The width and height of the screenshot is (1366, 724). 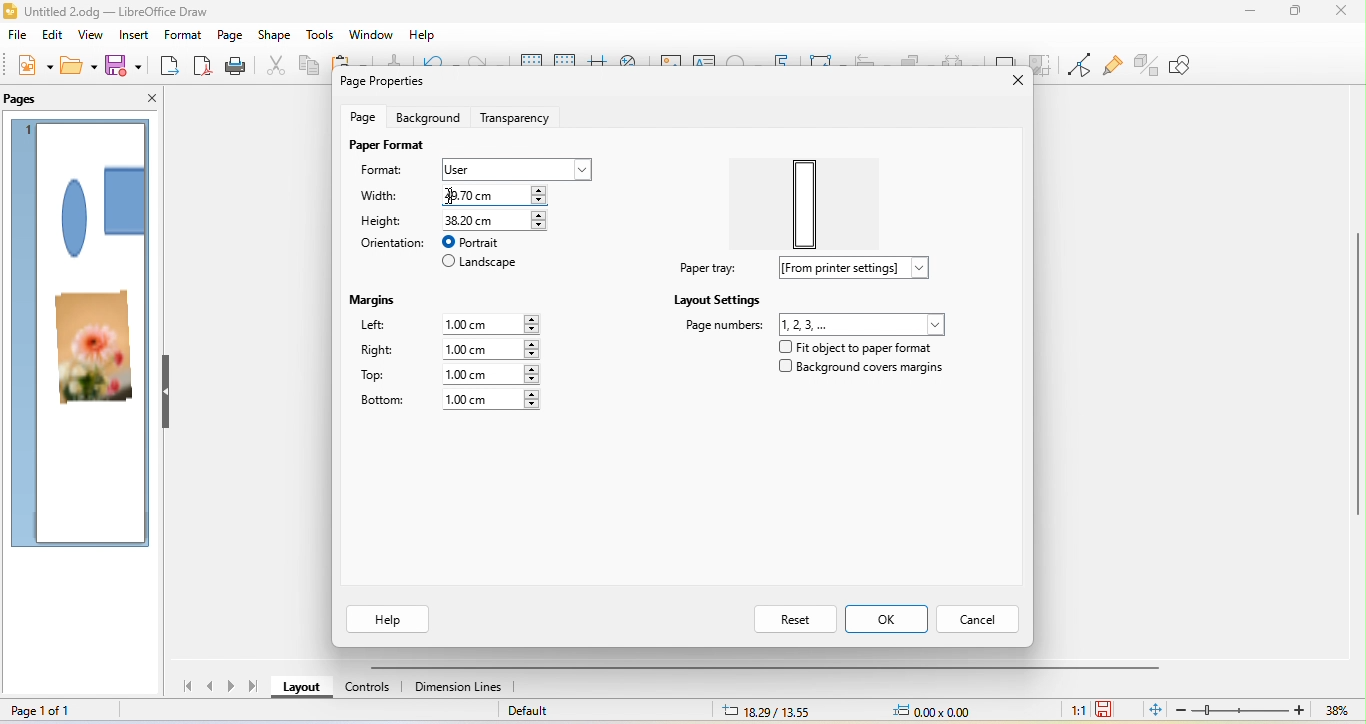 What do you see at coordinates (55, 37) in the screenshot?
I see `edit` at bounding box center [55, 37].